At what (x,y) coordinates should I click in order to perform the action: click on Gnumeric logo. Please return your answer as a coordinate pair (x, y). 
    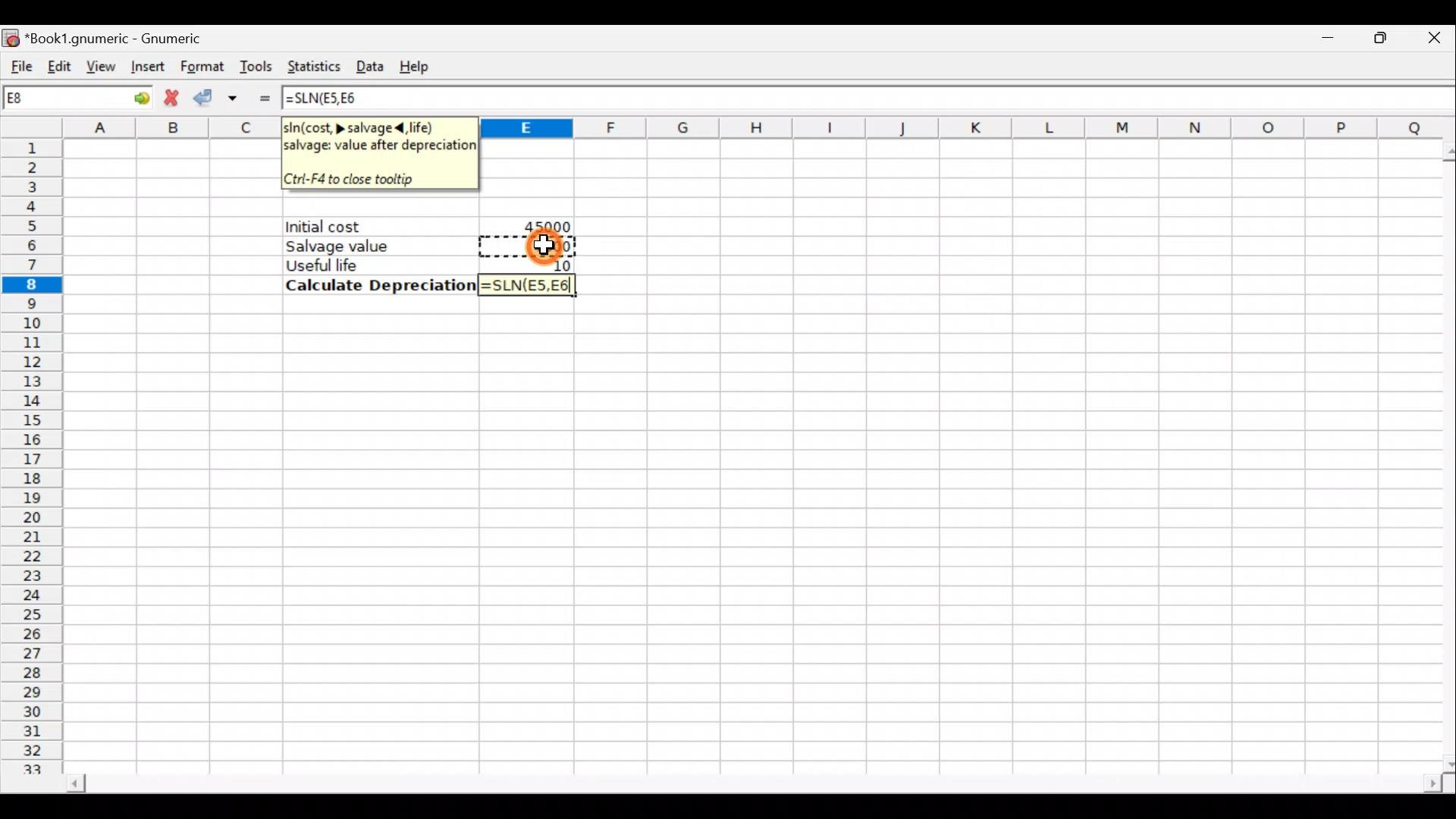
    Looking at the image, I should click on (12, 35).